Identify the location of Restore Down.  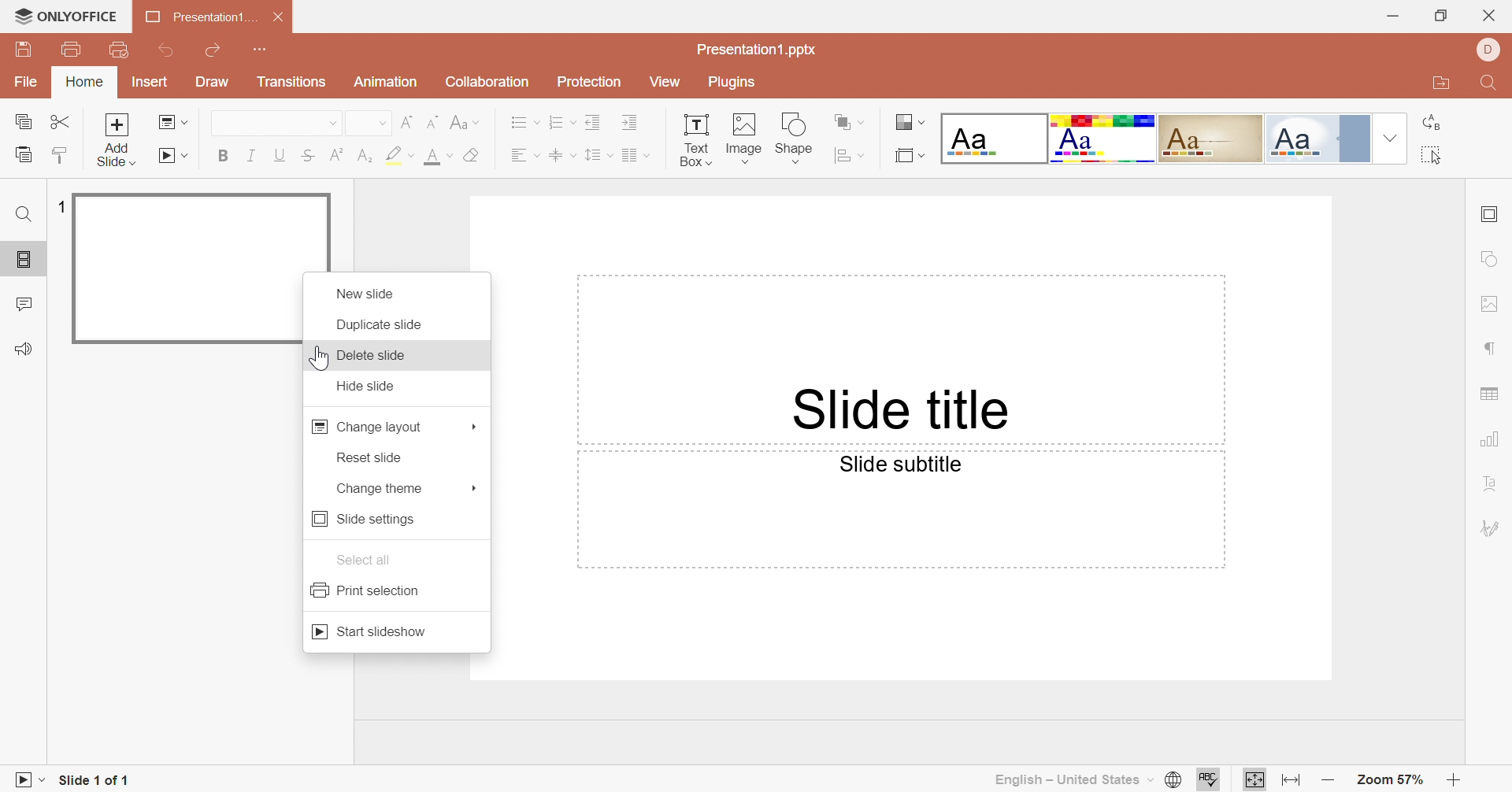
(1444, 15).